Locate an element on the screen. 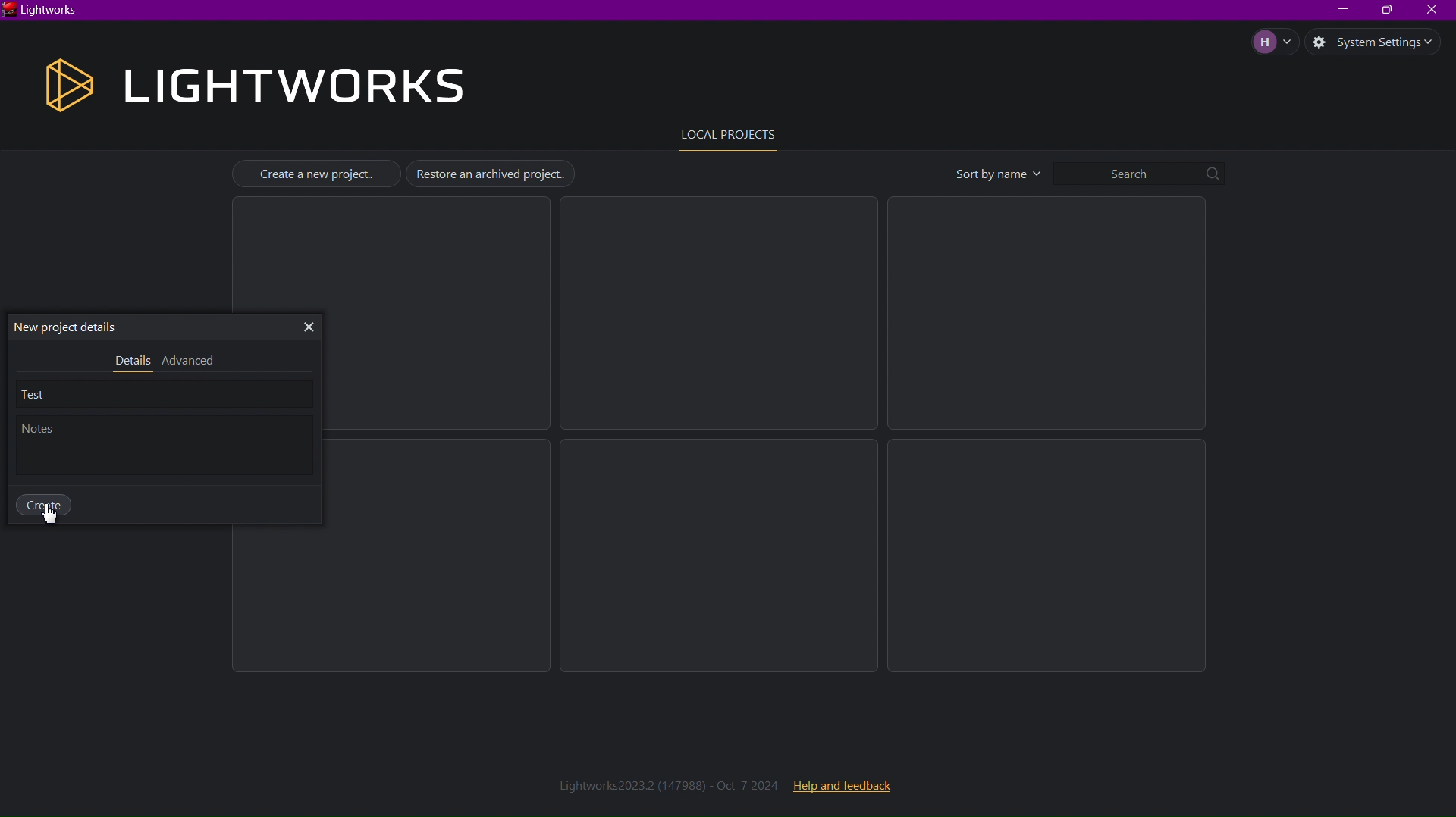  Help and feedback is located at coordinates (841, 785).